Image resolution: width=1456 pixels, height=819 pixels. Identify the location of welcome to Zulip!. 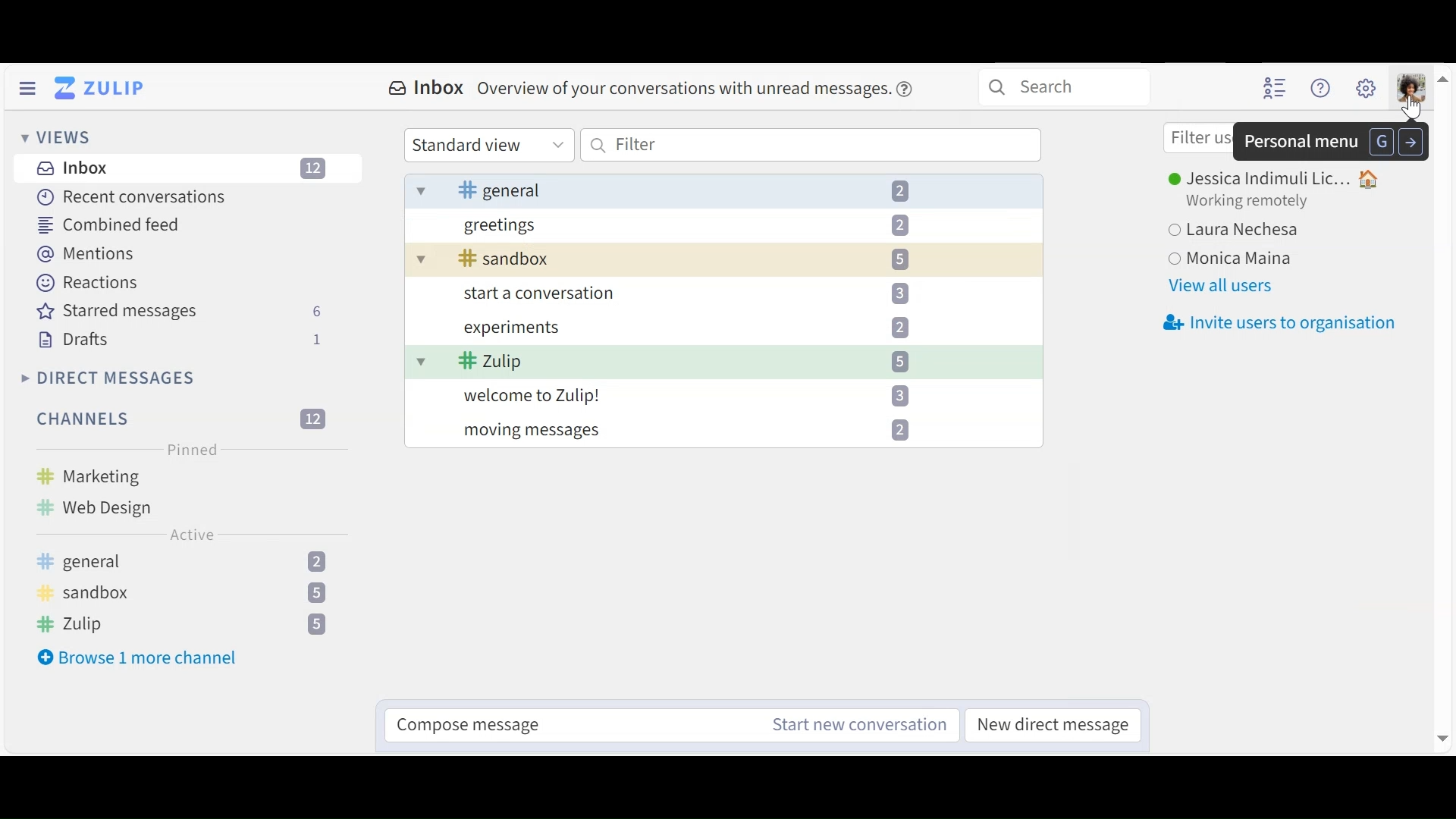
(532, 397).